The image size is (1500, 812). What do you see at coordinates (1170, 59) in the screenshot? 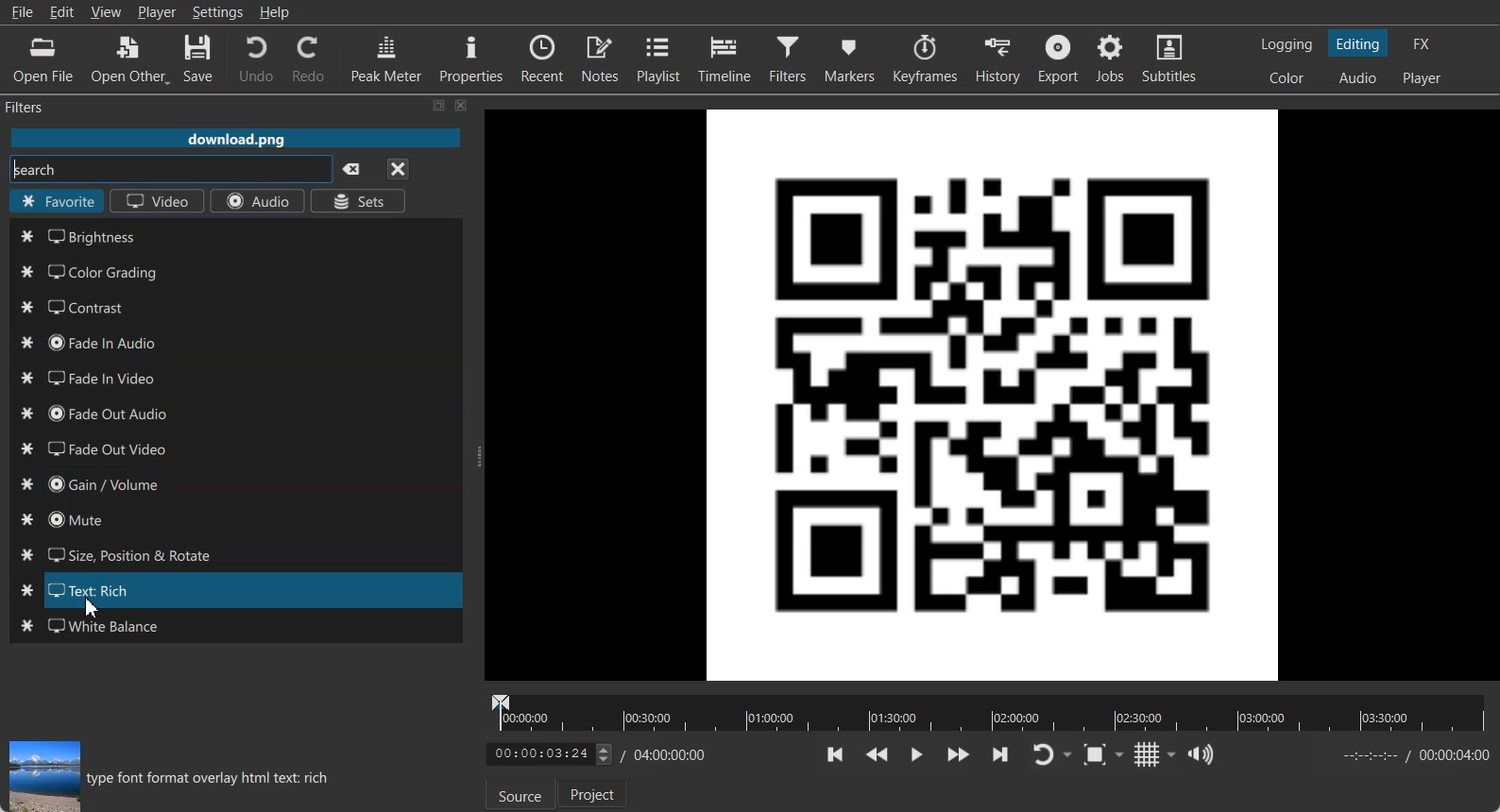
I see `Subtitles` at bounding box center [1170, 59].